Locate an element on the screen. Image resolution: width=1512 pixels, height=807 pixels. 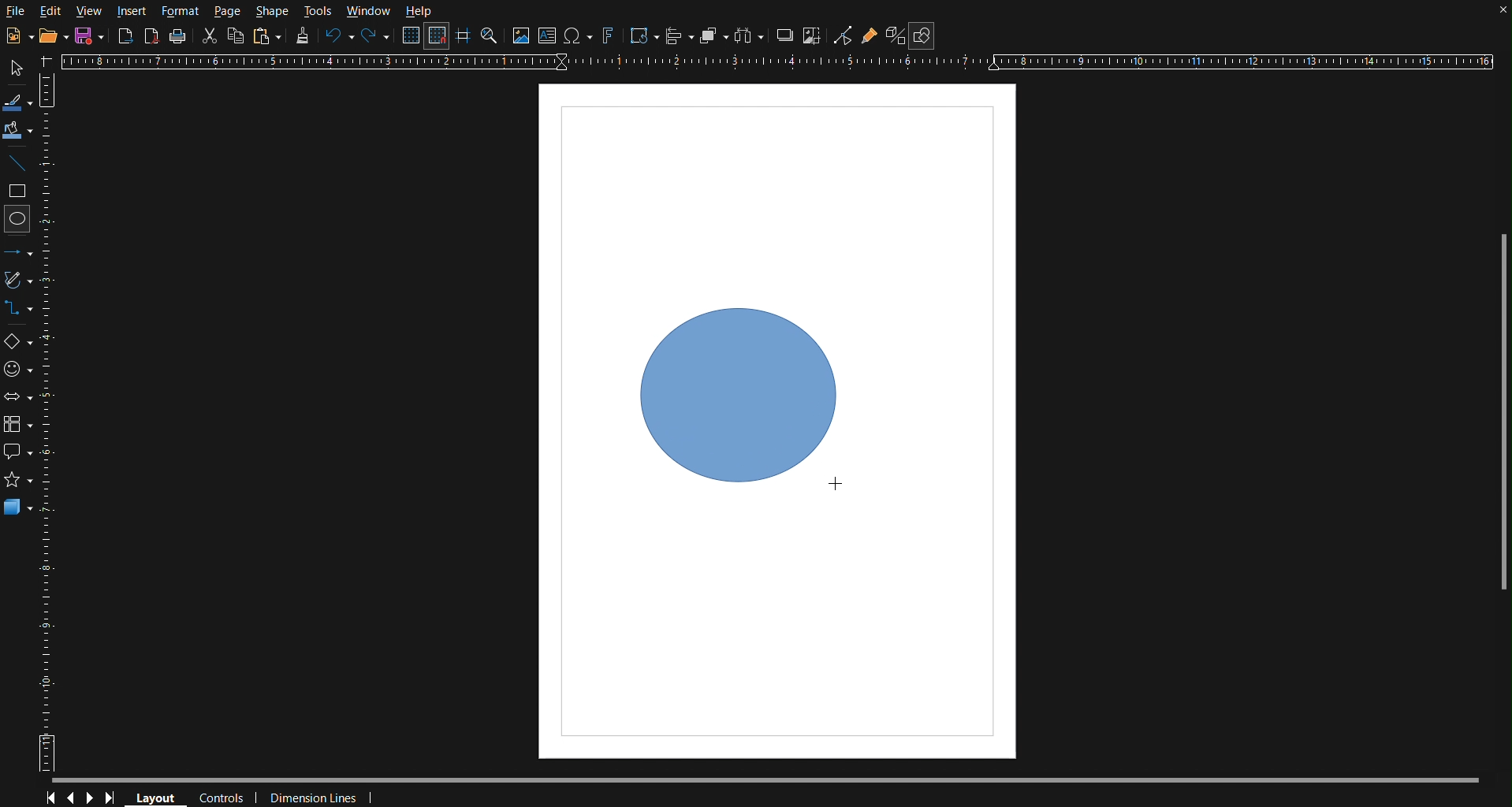
Crop Images is located at coordinates (814, 36).